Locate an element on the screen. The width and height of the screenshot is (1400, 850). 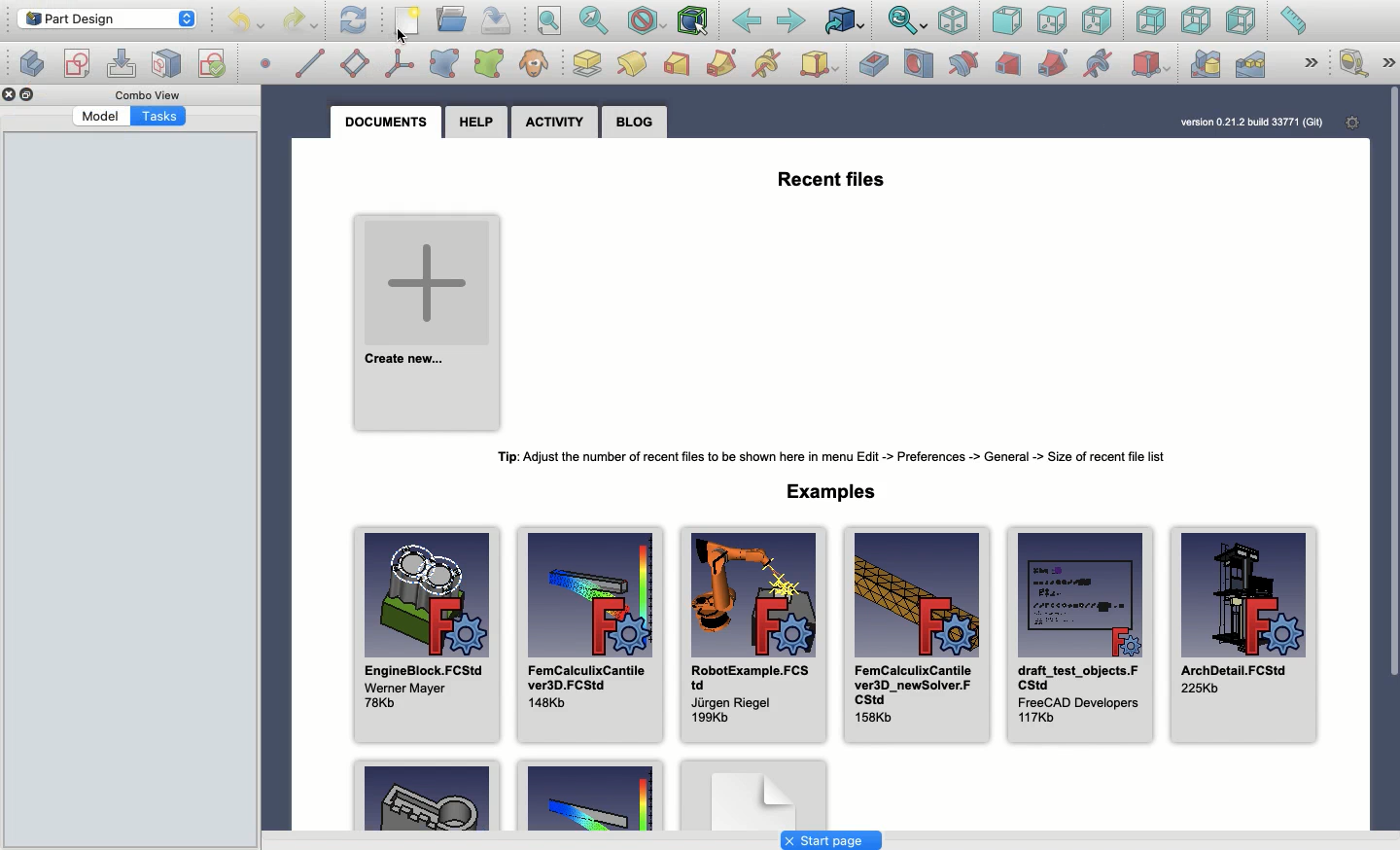
Datum plane is located at coordinates (357, 64).